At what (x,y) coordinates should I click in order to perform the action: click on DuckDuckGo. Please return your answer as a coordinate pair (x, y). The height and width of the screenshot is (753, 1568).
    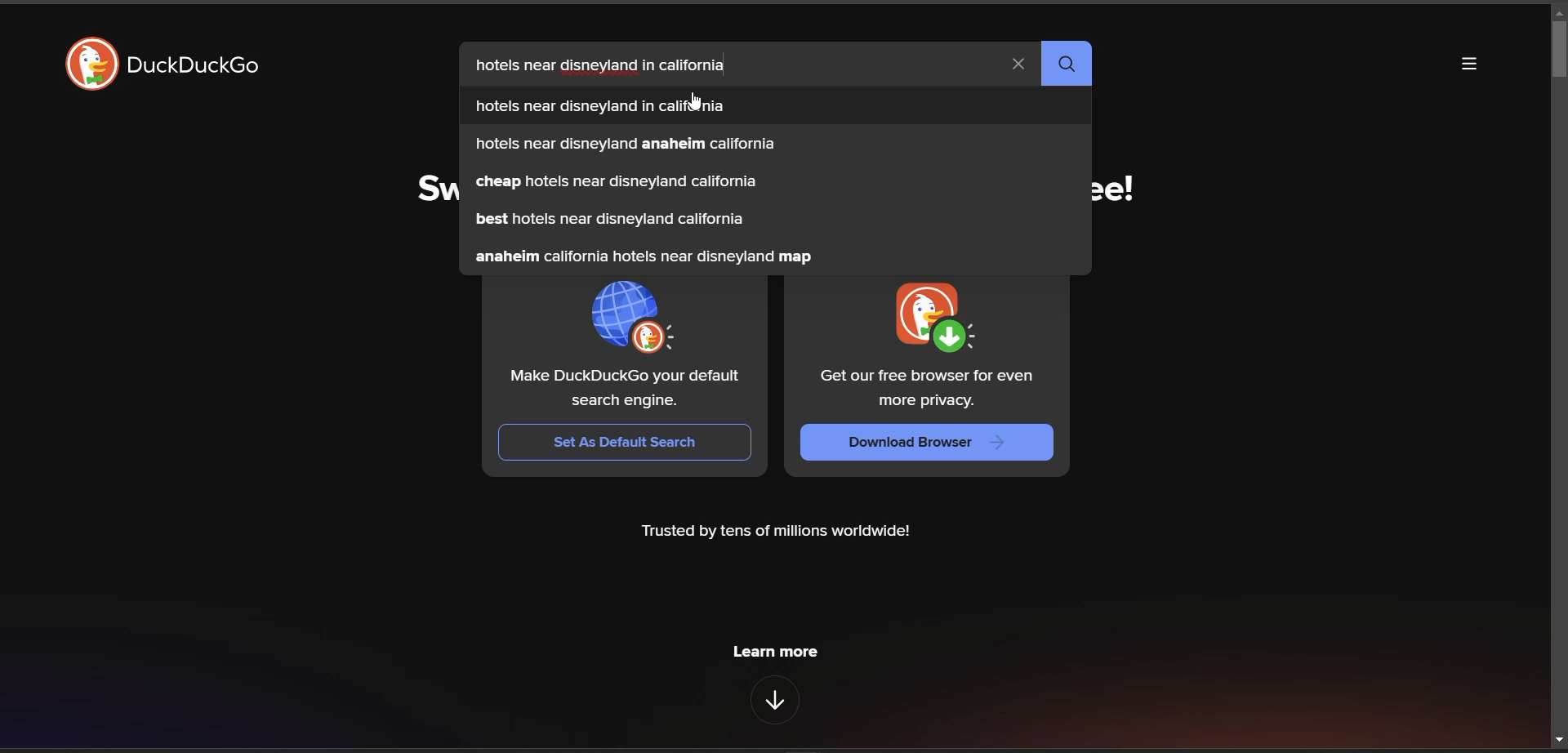
    Looking at the image, I should click on (198, 64).